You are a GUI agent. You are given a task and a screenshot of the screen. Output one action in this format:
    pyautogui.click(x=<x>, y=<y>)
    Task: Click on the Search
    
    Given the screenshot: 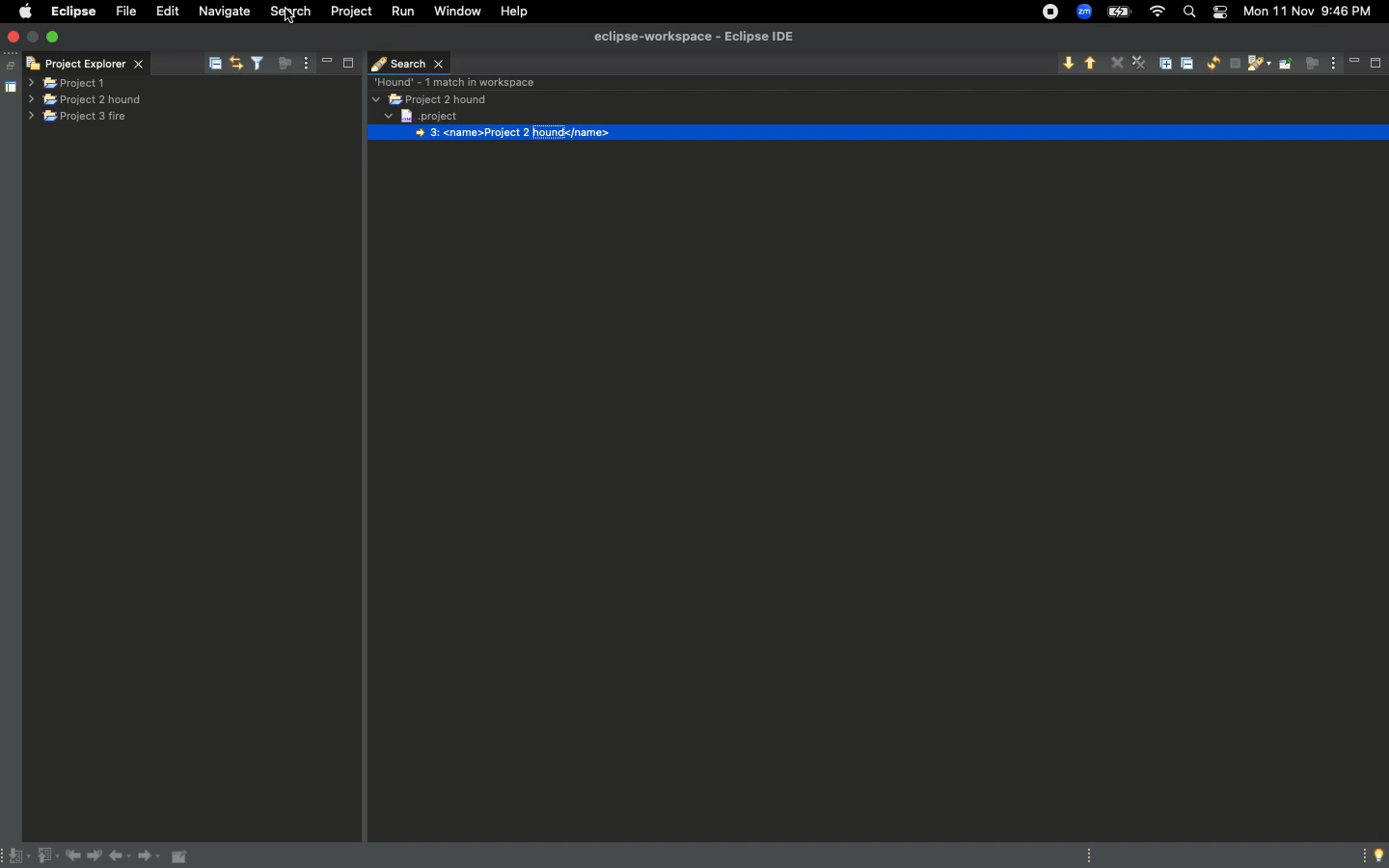 What is the action you would take?
    pyautogui.click(x=409, y=62)
    